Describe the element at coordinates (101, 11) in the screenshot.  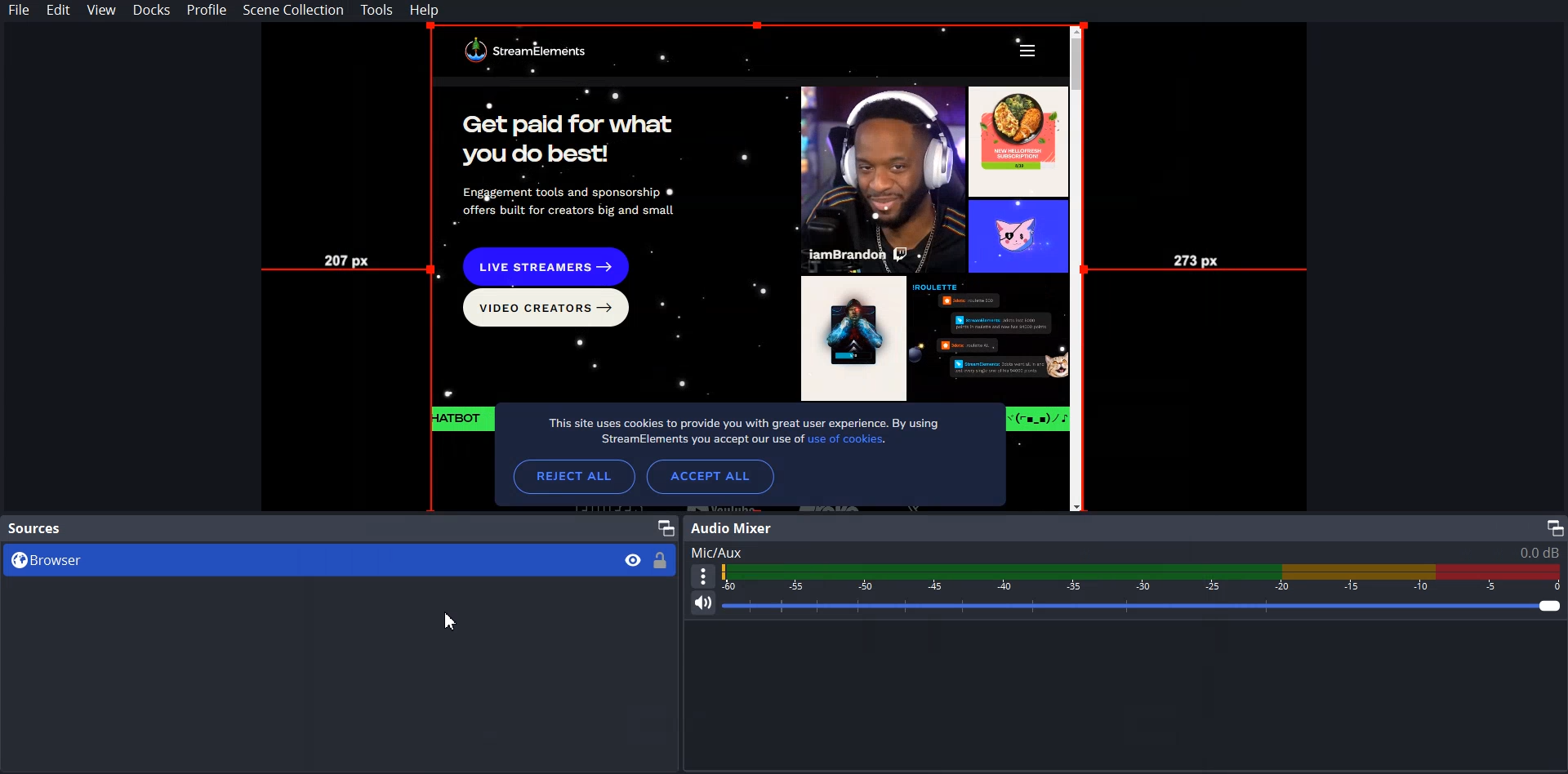
I see `View` at that location.